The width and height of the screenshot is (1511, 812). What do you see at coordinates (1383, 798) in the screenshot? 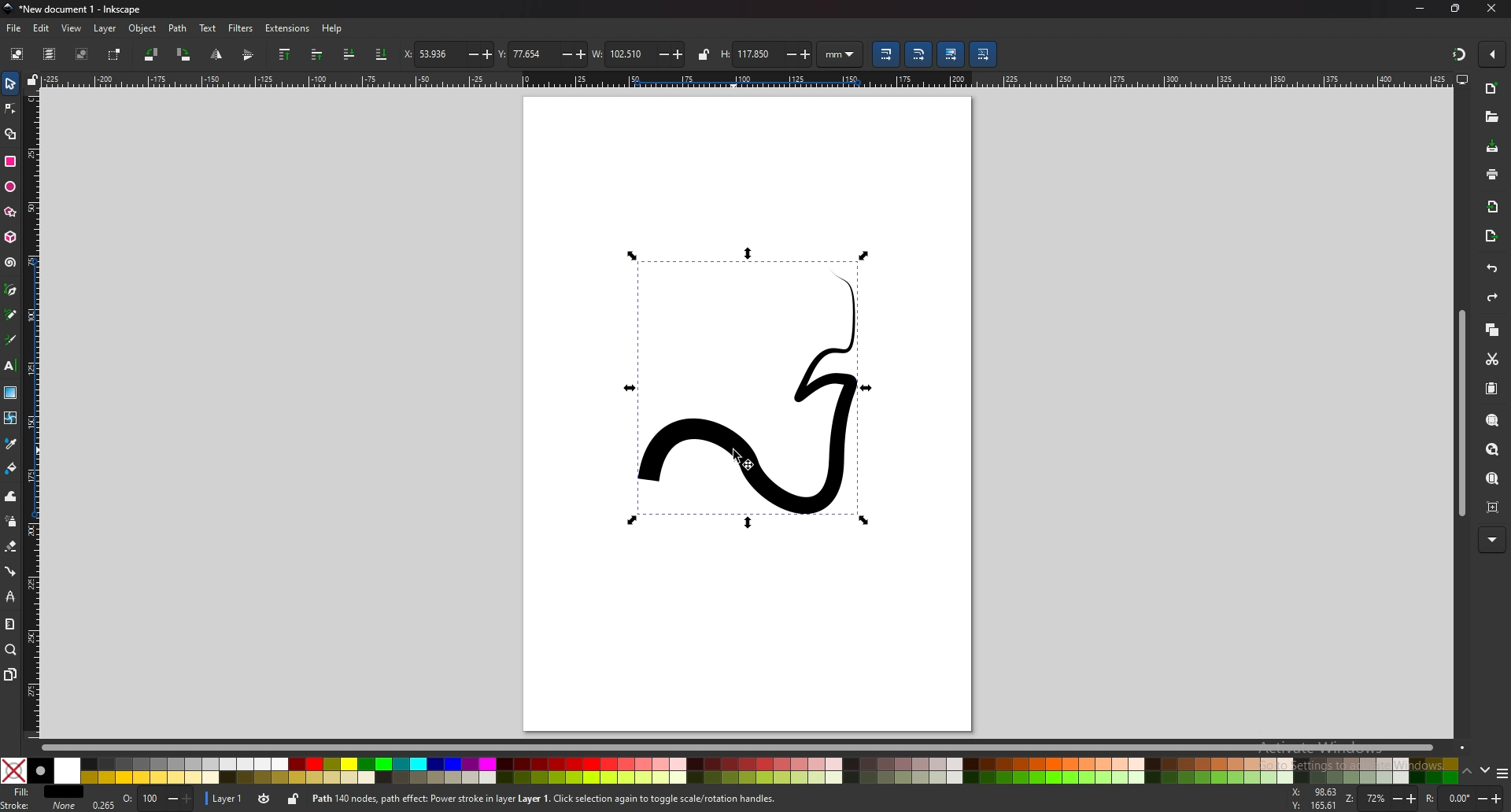
I see `ZOOM` at bounding box center [1383, 798].